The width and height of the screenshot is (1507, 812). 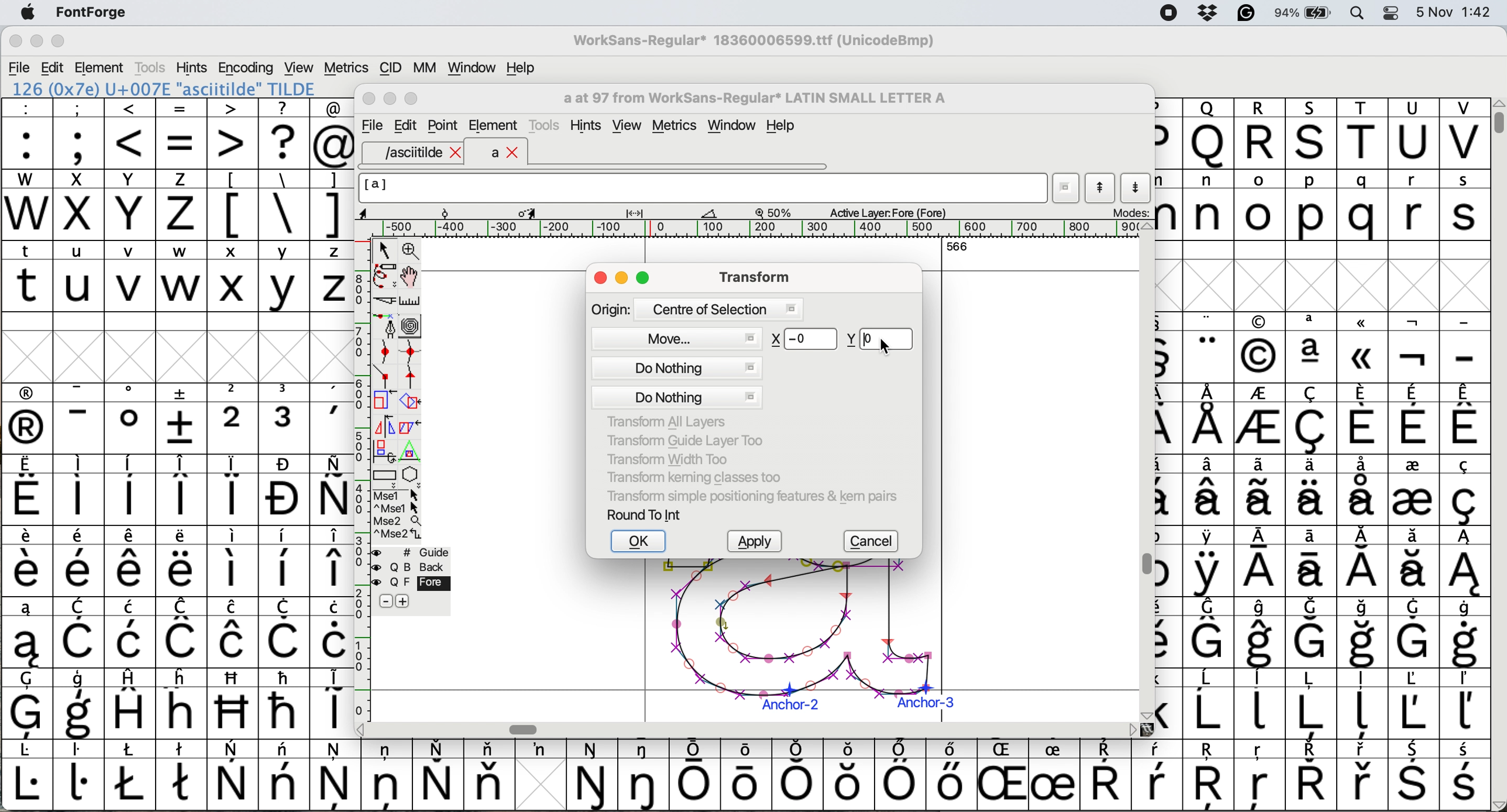 I want to click on z, so click(x=332, y=276).